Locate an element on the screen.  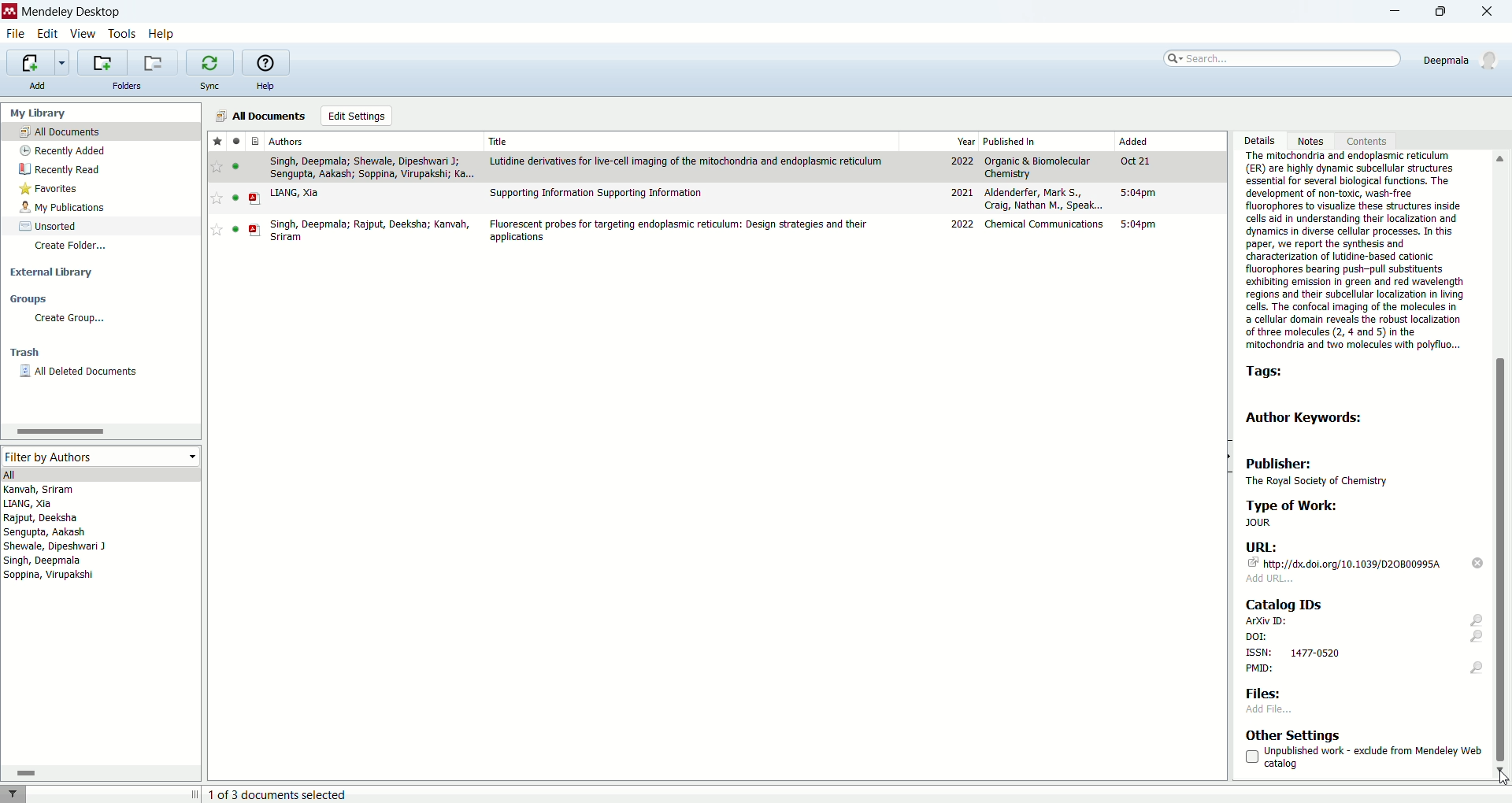
notes is located at coordinates (1314, 140).